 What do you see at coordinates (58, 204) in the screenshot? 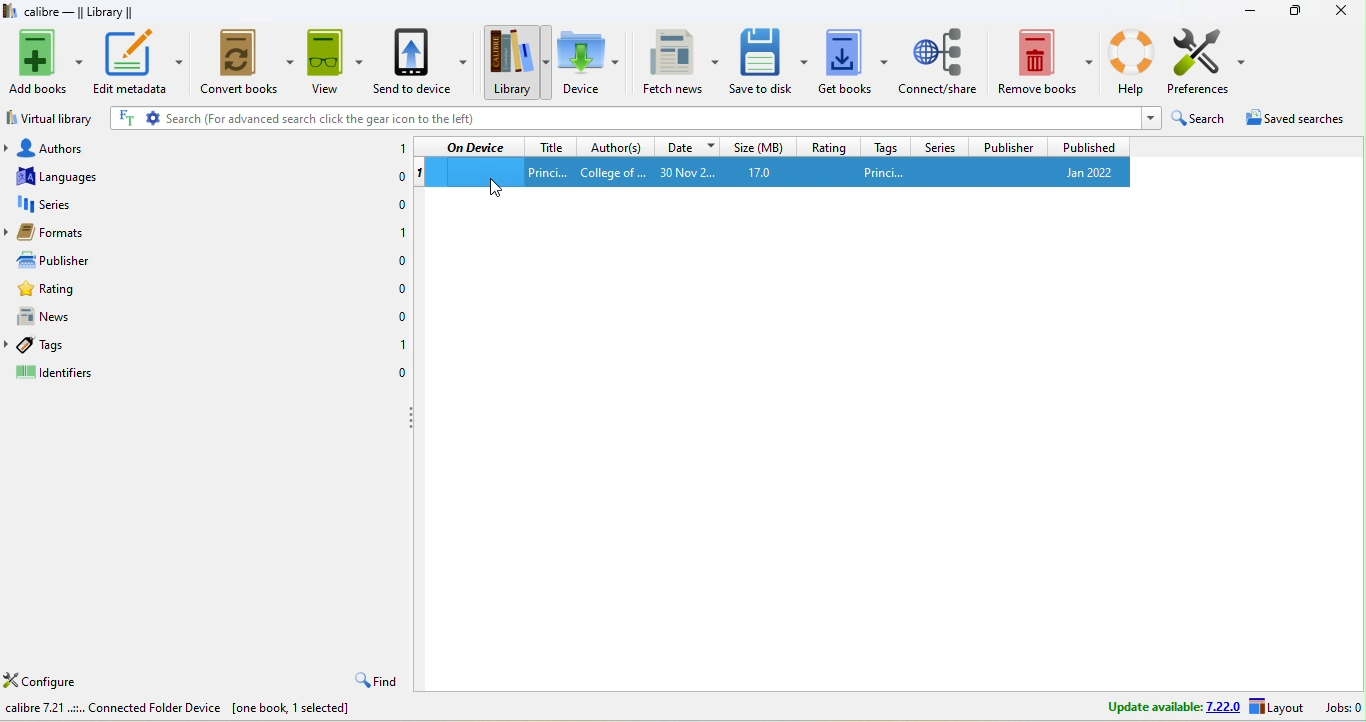
I see `series` at bounding box center [58, 204].